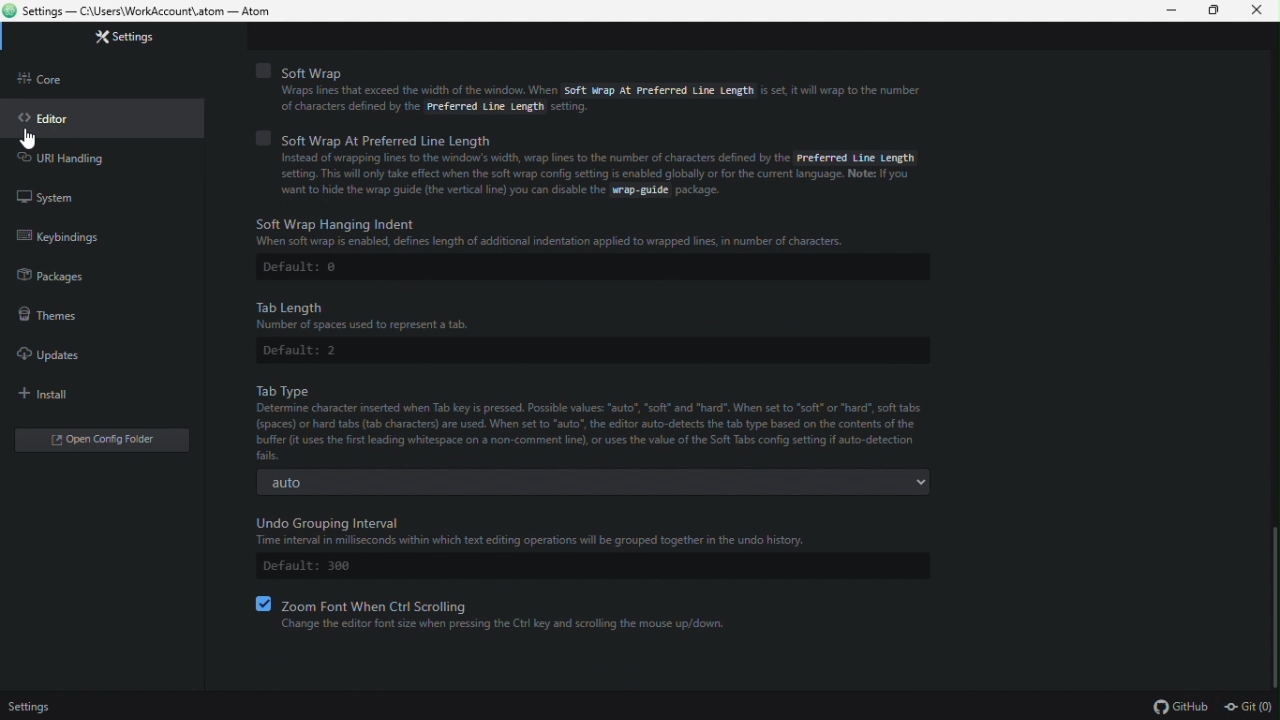 The image size is (1280, 720). Describe the element at coordinates (599, 176) in the screenshot. I see `Instead of wrapping lines to the window's width, wrap lines to the number of characters defined by the Preferred Line Lengthsetting. Ths will only take effect when the soft wrap config setting is enabled globally or for the current language. Note: If youwant to hide the wrap guide (the vertical line) you can disable the wrap-guide package.` at that location.